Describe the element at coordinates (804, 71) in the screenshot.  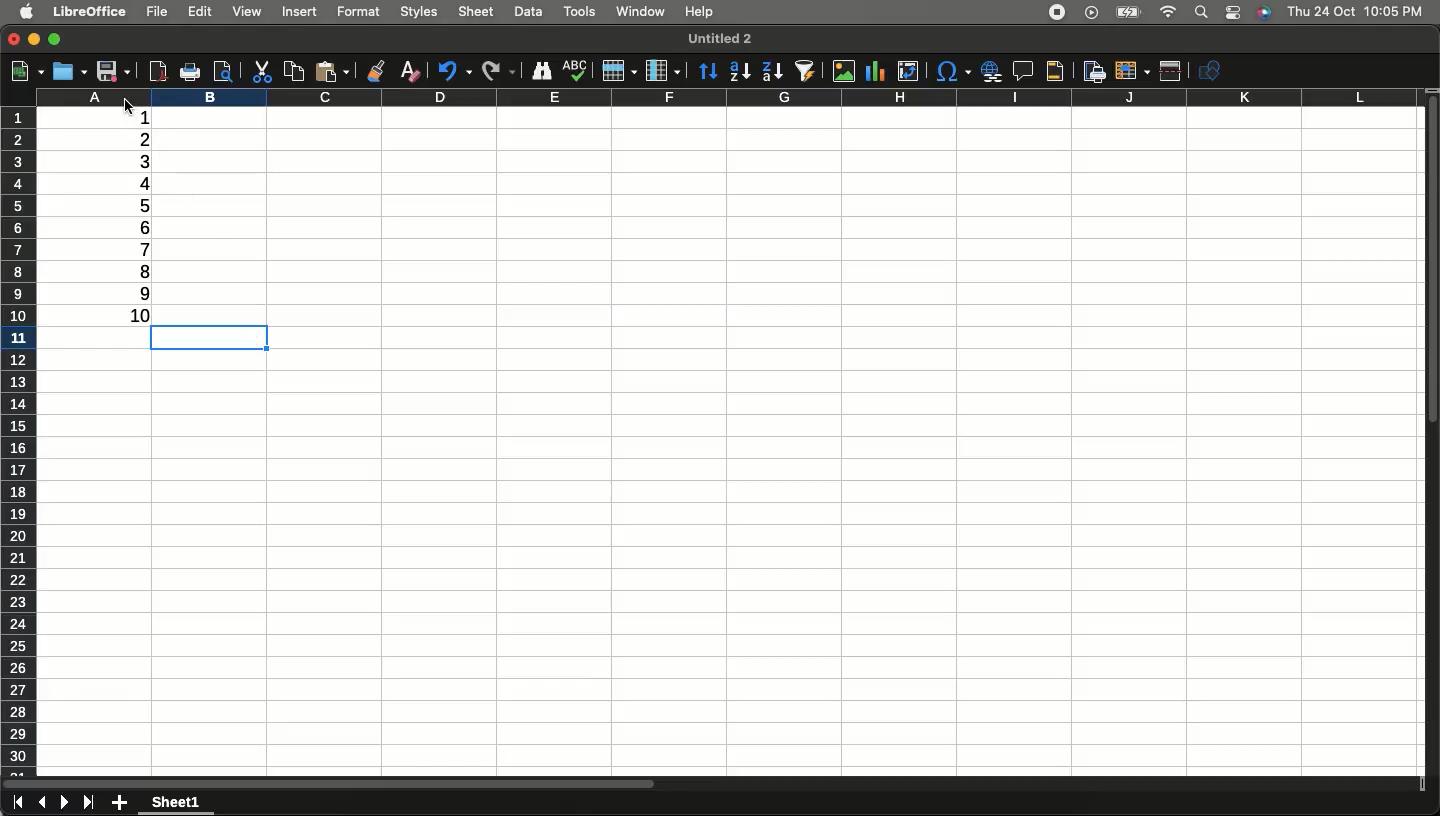
I see `Autofilter` at that location.